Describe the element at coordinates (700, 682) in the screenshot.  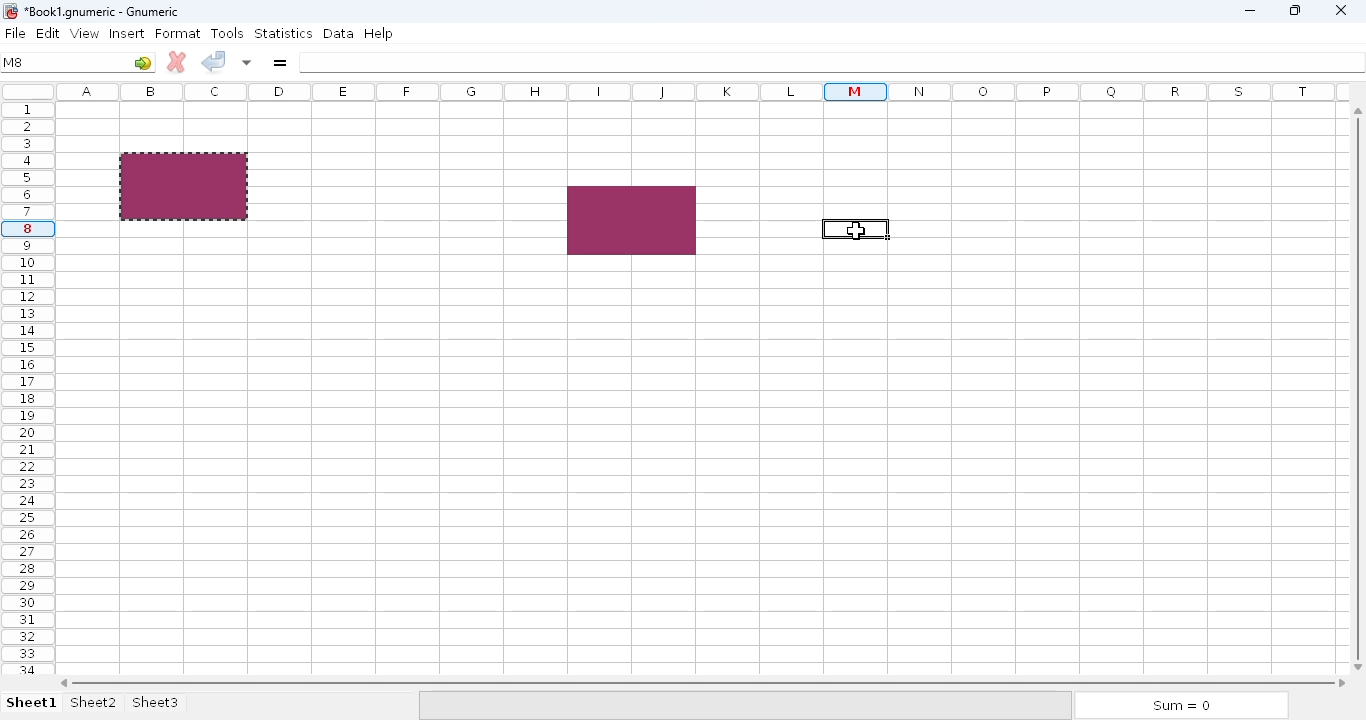
I see `horizontal scroll bar` at that location.